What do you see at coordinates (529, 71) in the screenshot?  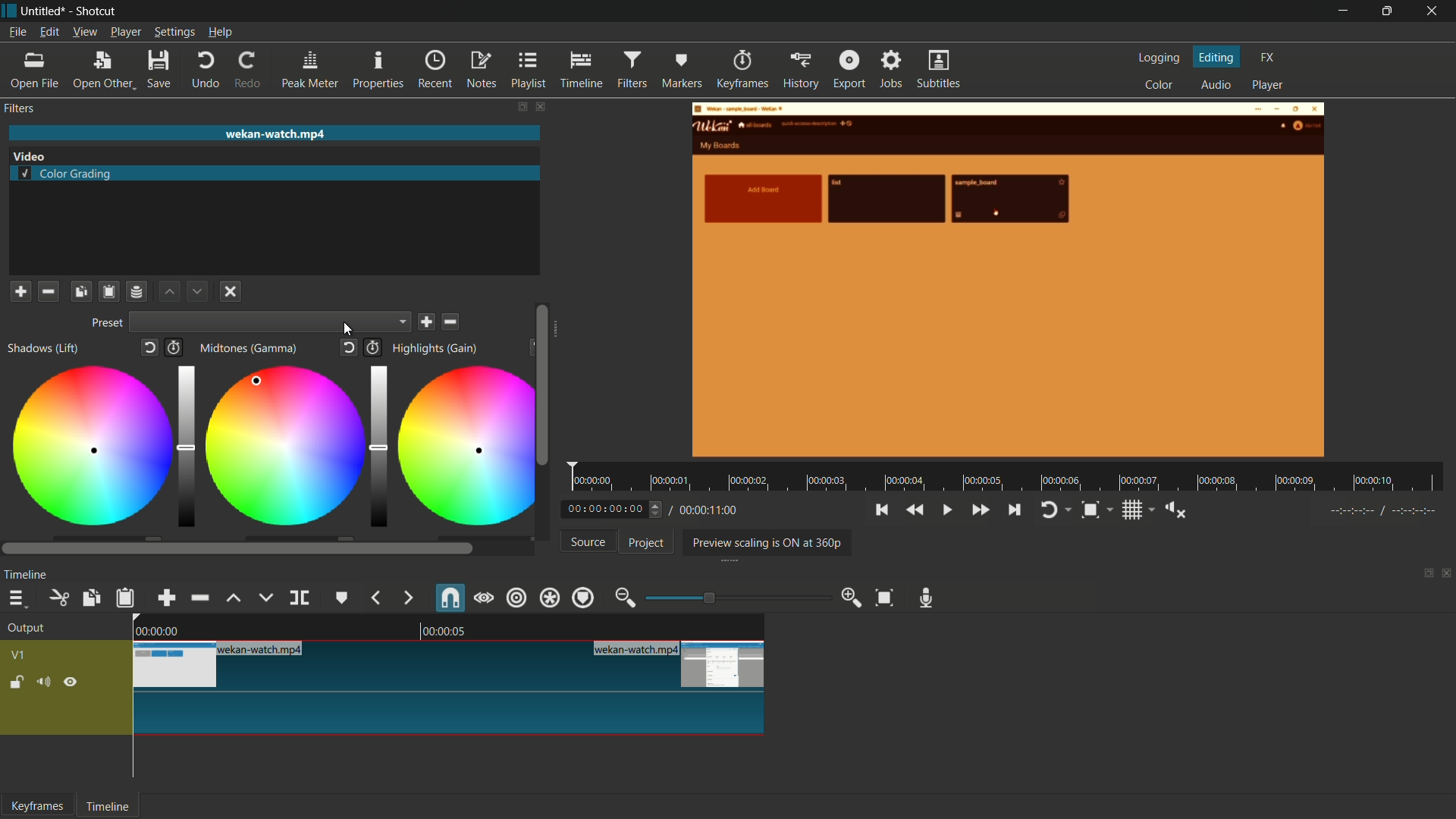 I see `playlist` at bounding box center [529, 71].